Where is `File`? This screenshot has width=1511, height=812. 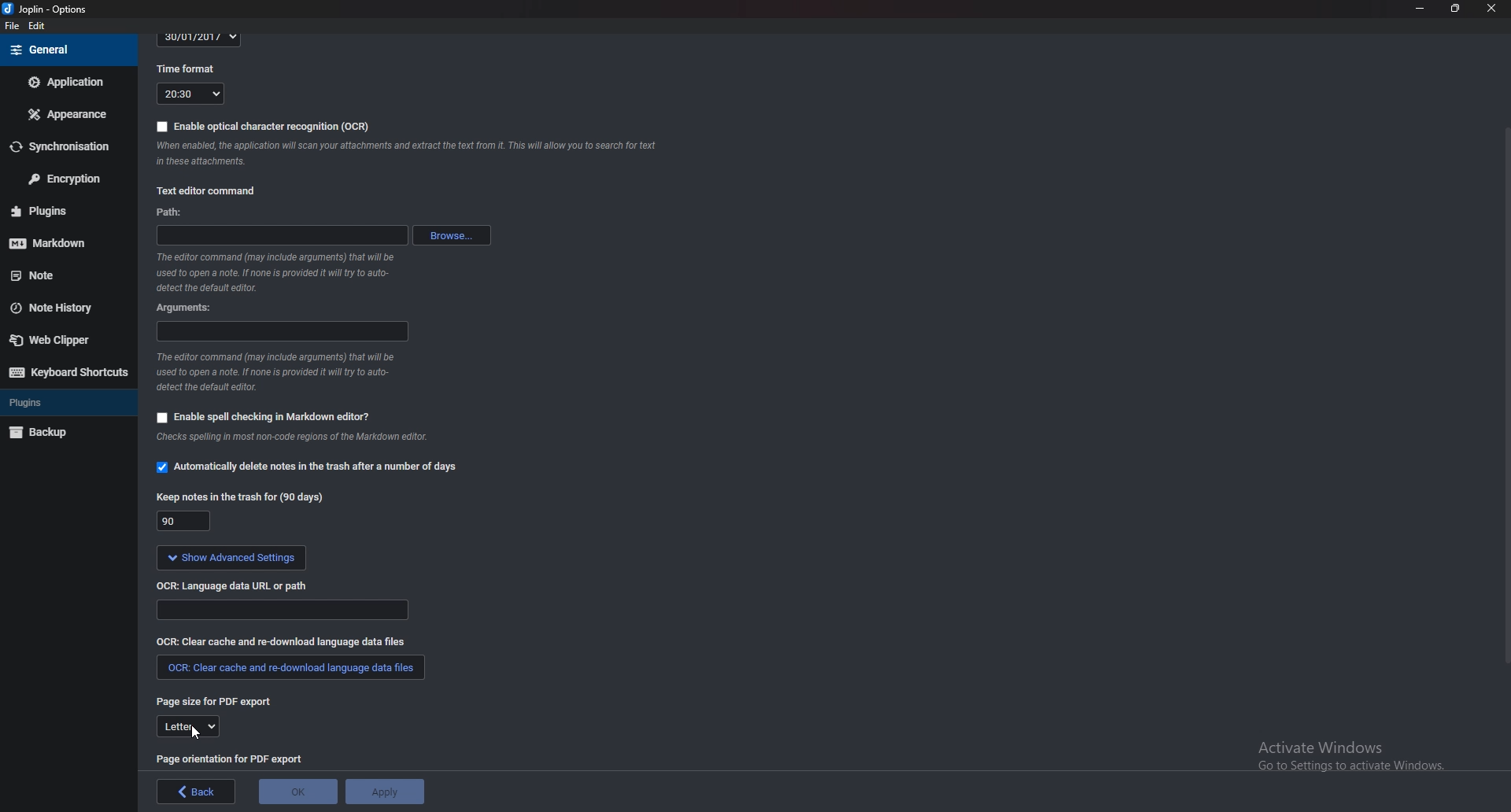
File is located at coordinates (13, 26).